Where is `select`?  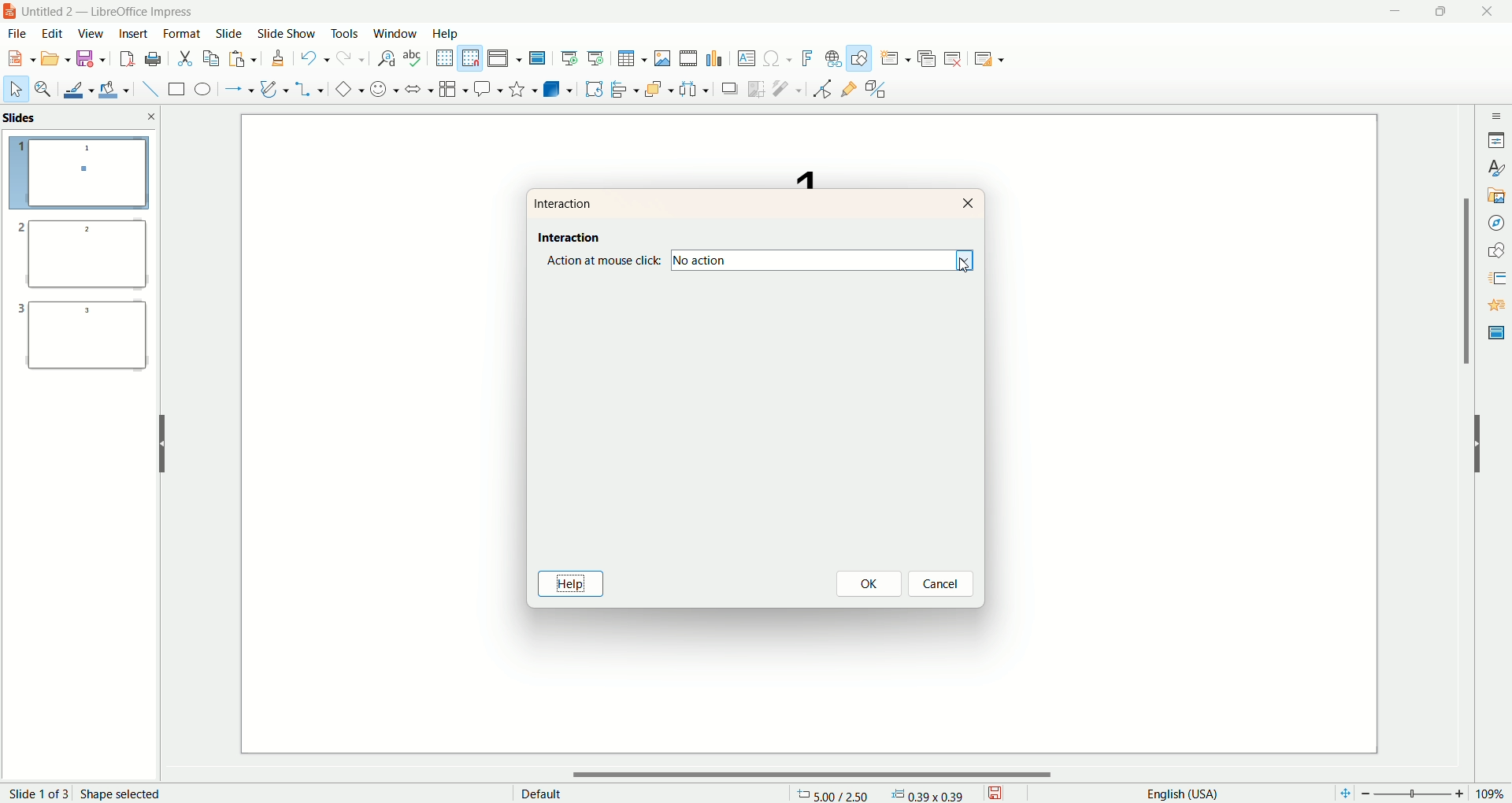 select is located at coordinates (16, 92).